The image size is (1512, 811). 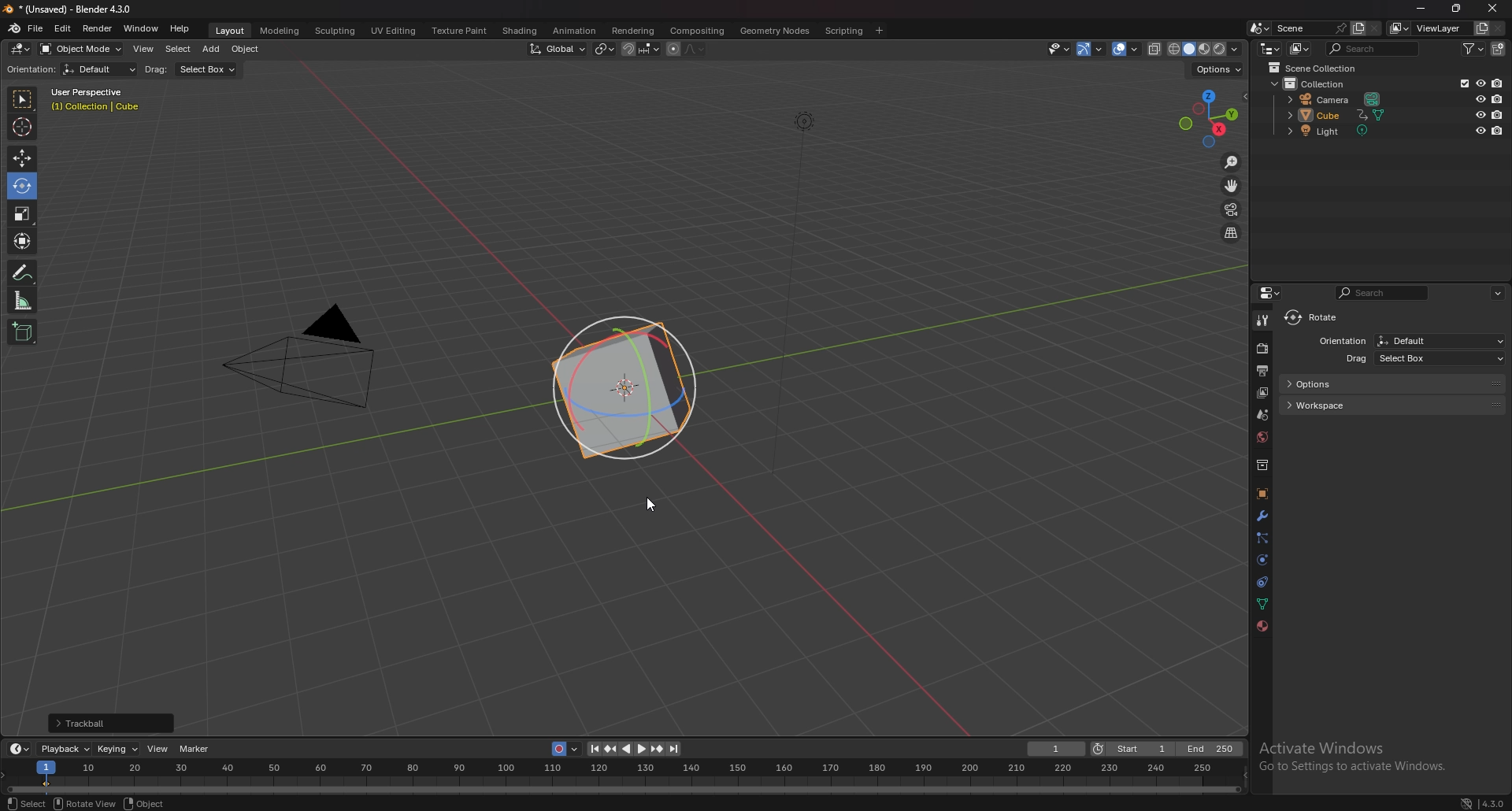 What do you see at coordinates (1262, 465) in the screenshot?
I see `collection` at bounding box center [1262, 465].